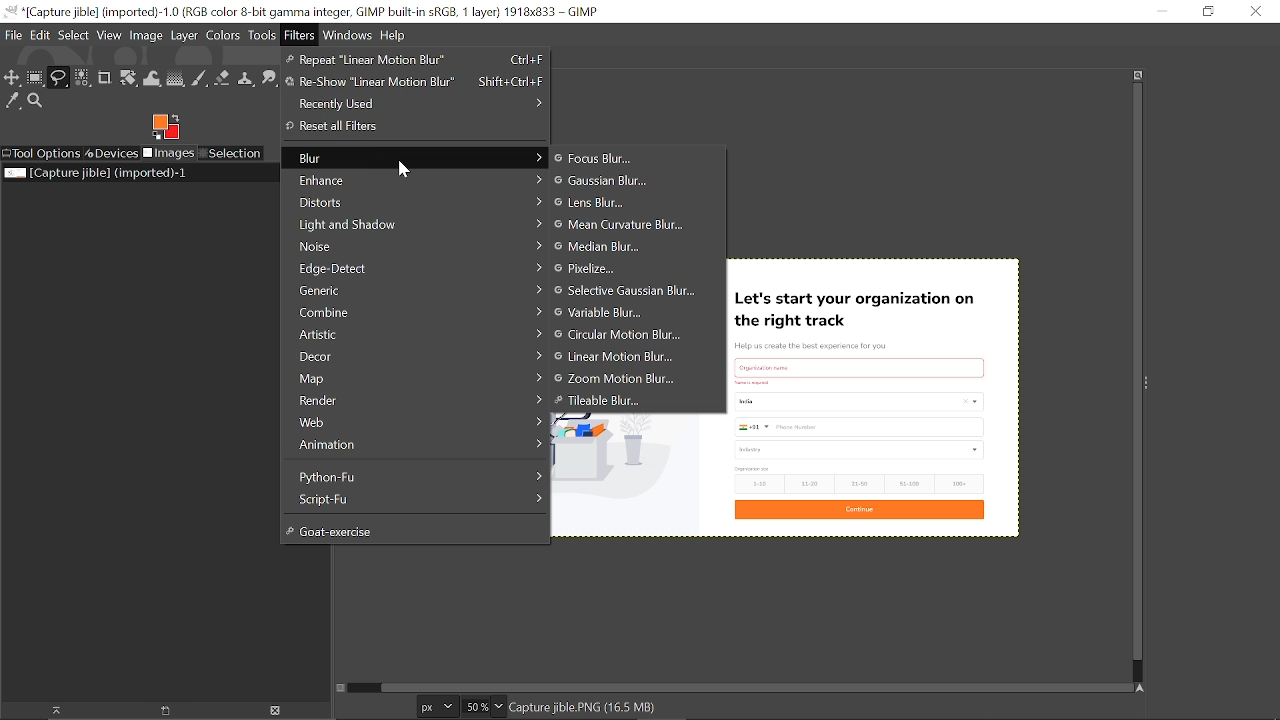 This screenshot has height=720, width=1280. Describe the element at coordinates (42, 35) in the screenshot. I see `Edit` at that location.